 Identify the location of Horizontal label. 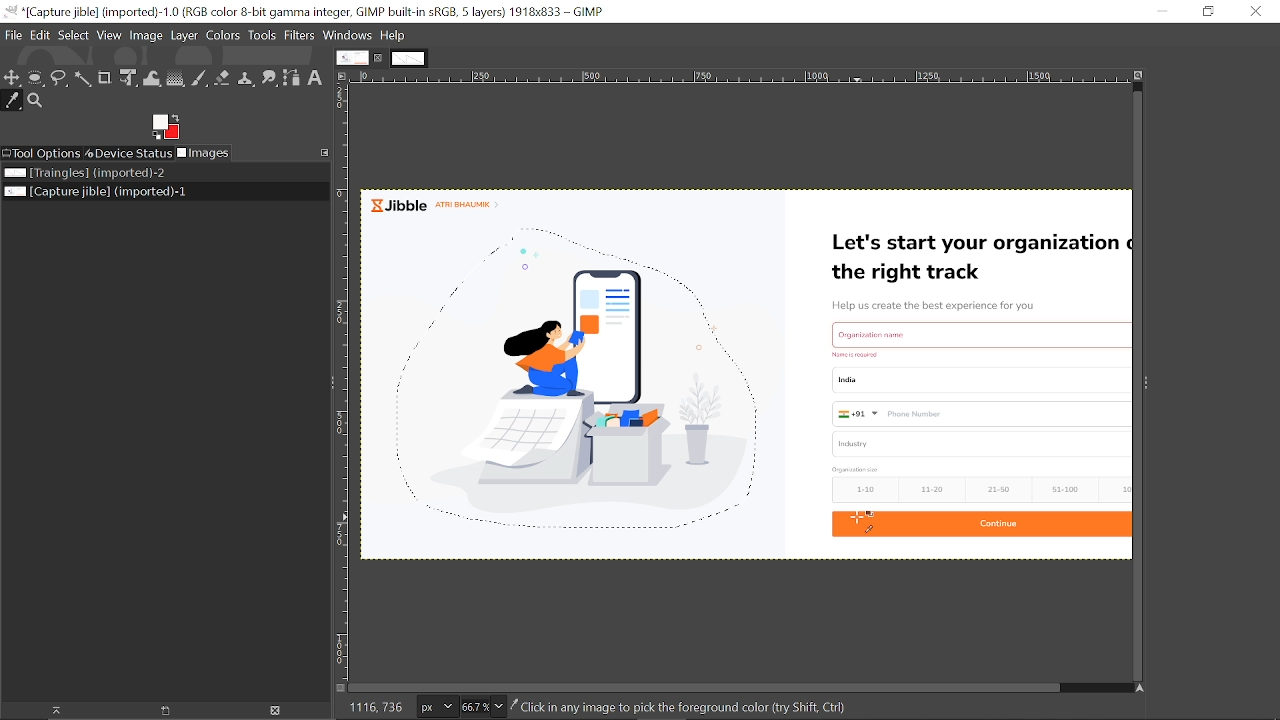
(737, 77).